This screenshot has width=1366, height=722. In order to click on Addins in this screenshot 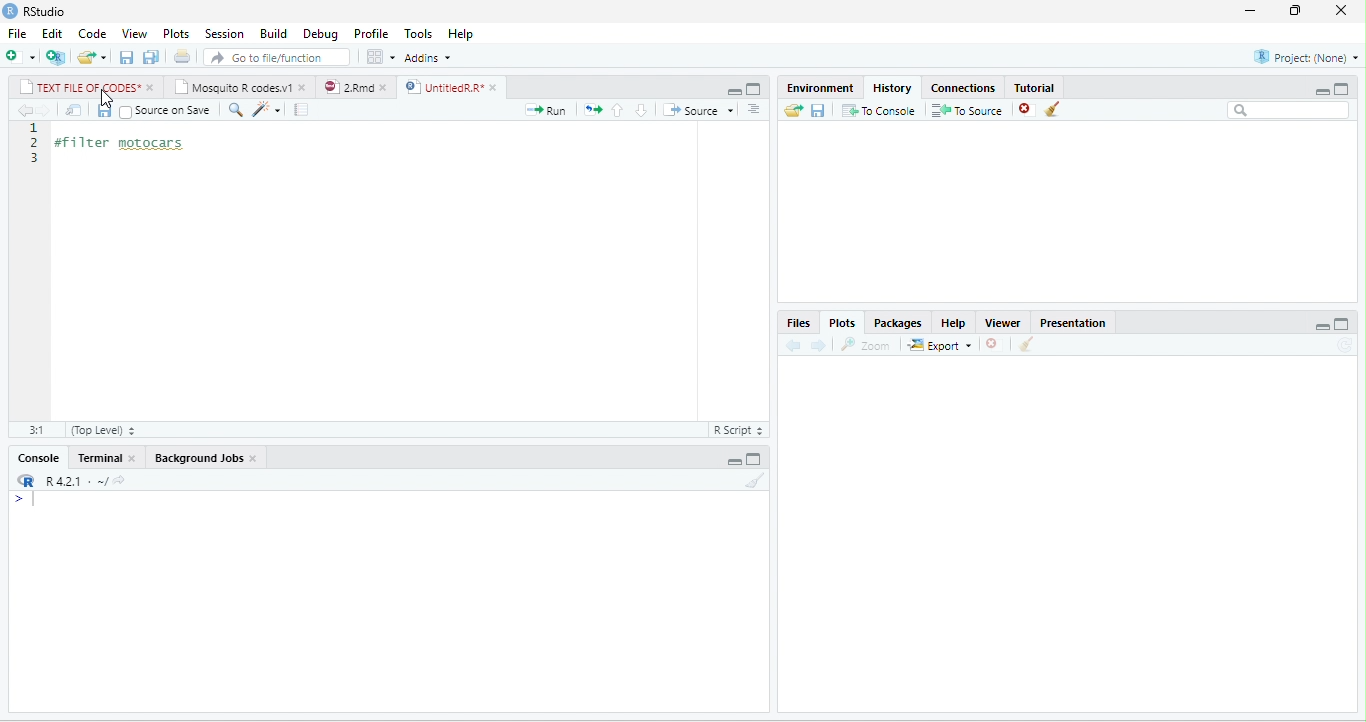, I will do `click(427, 57)`.